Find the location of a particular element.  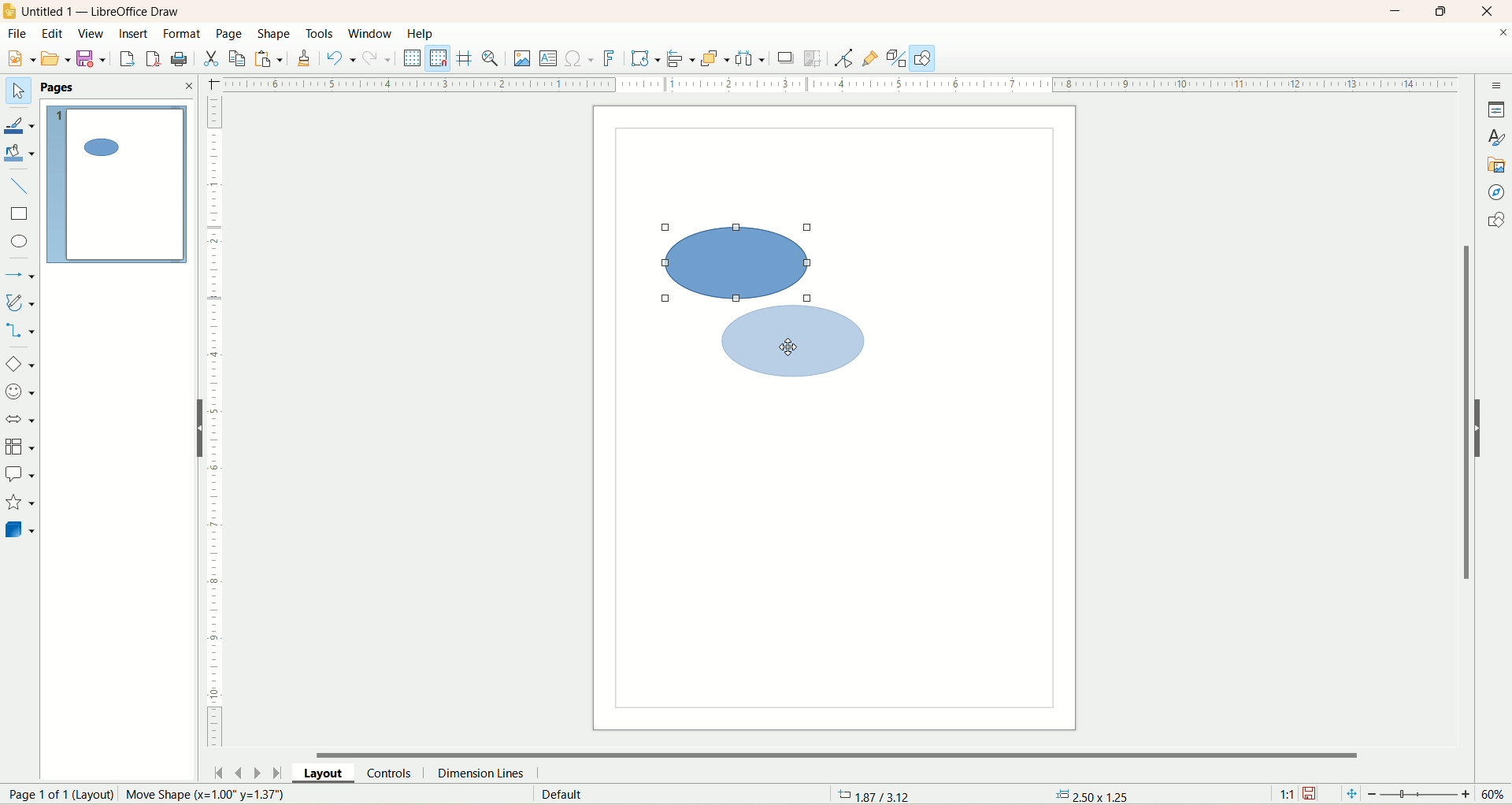

select atleast three objects to distribute is located at coordinates (752, 58).